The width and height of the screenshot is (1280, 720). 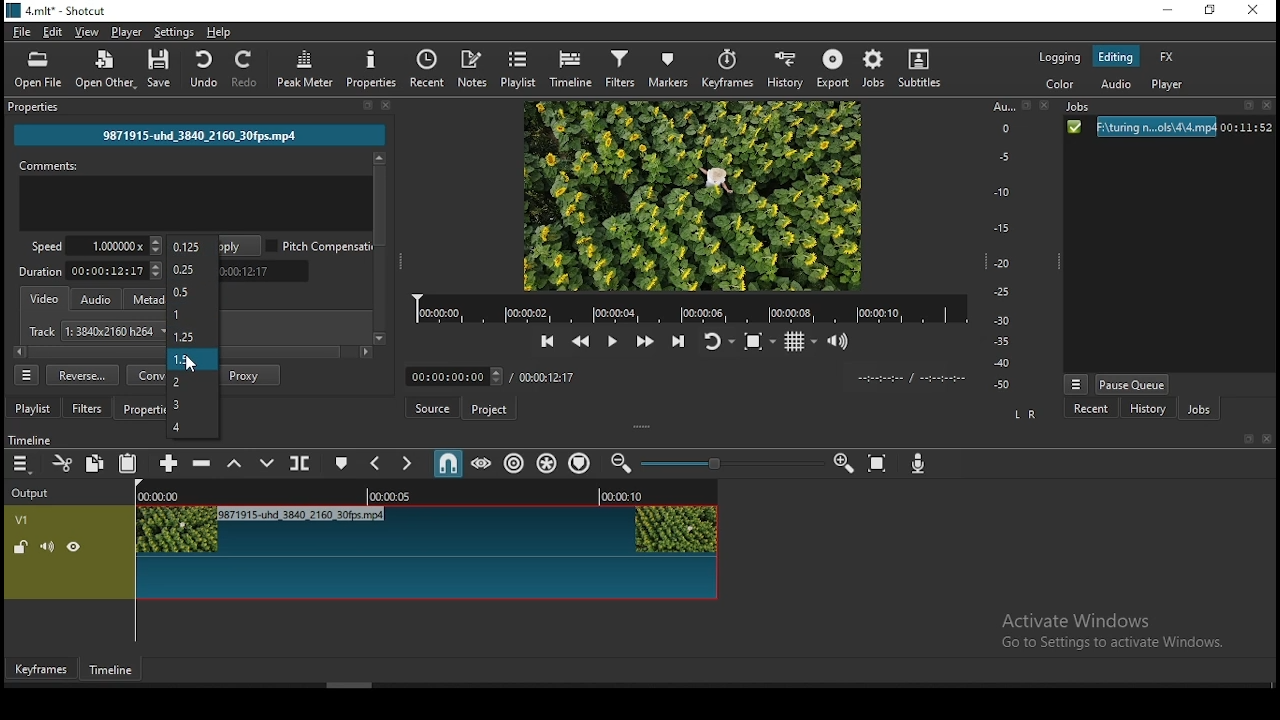 I want to click on previous marker, so click(x=377, y=465).